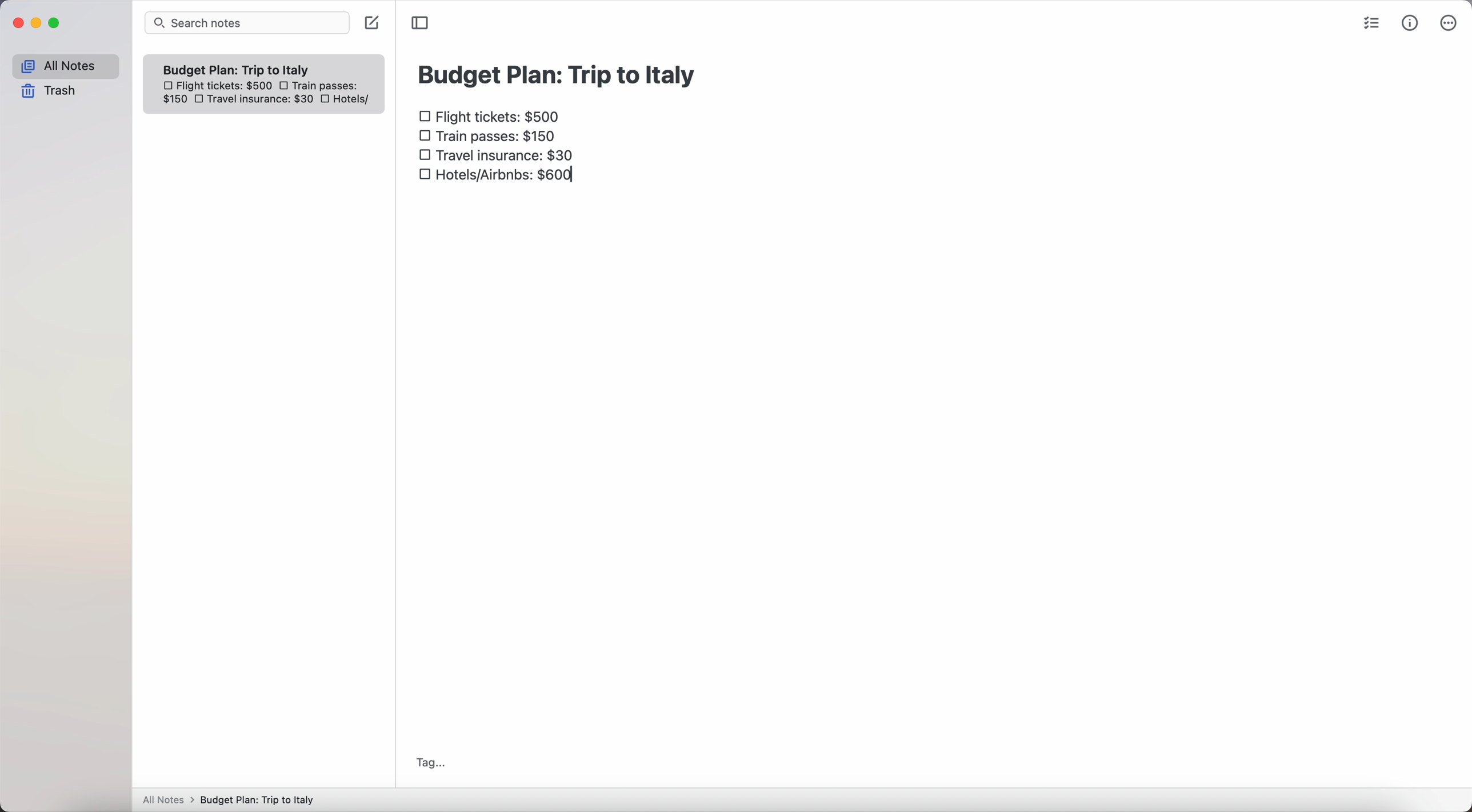  What do you see at coordinates (18, 23) in the screenshot?
I see `close Simplenote` at bounding box center [18, 23].